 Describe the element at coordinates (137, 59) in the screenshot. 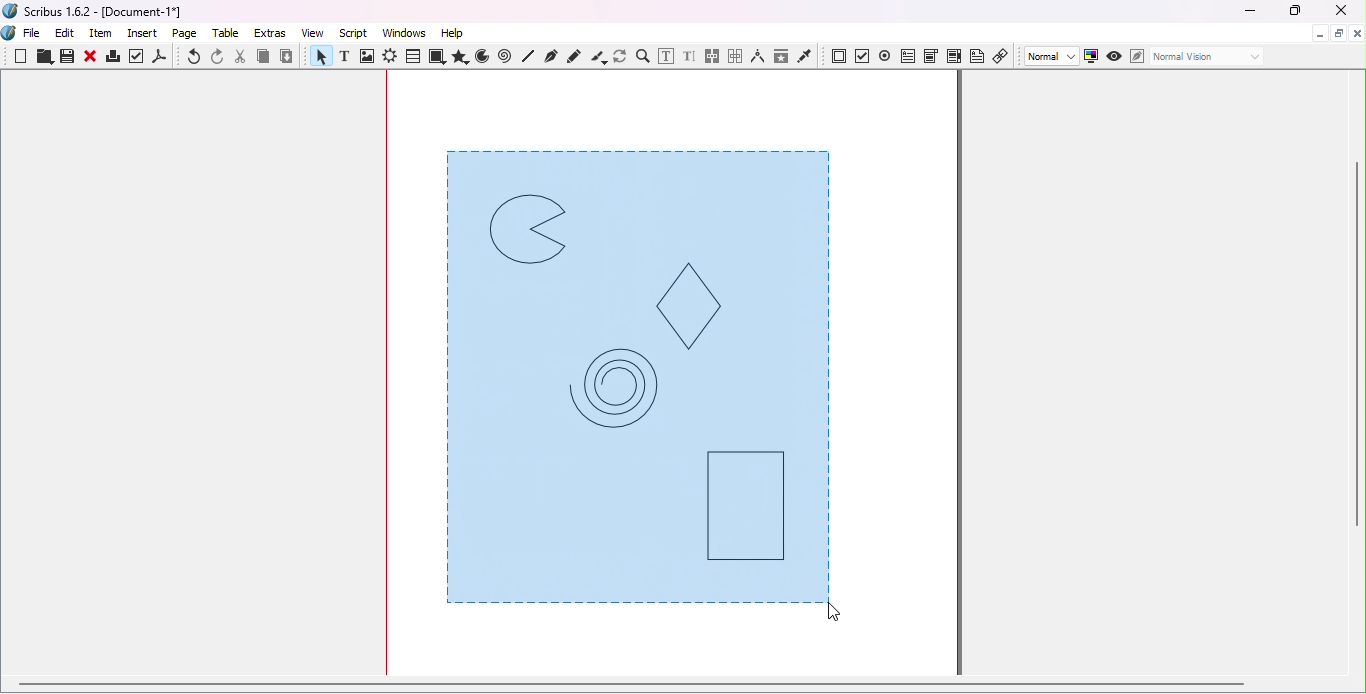

I see `Preflight verifier` at that location.